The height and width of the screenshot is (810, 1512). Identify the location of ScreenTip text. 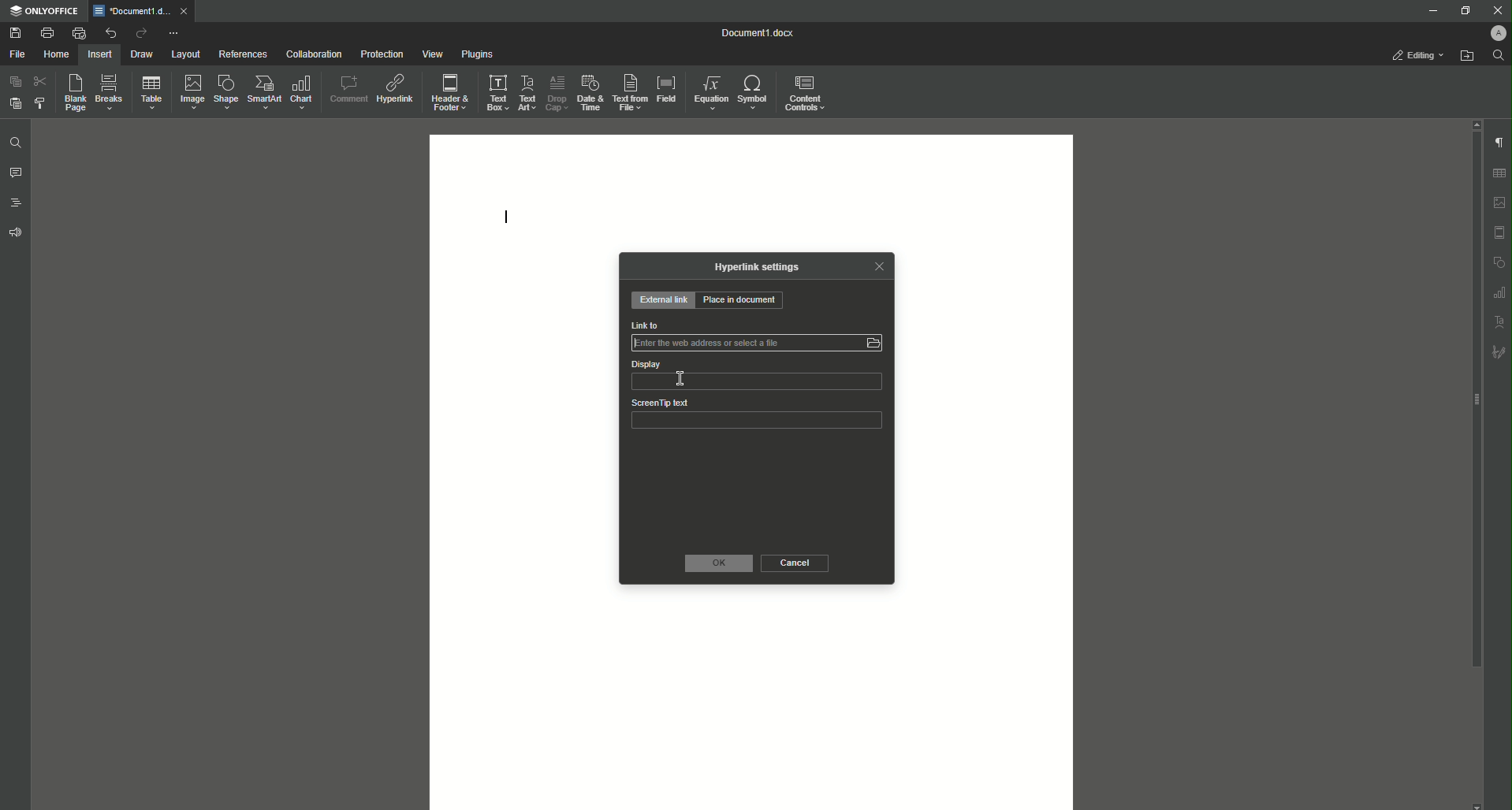
(758, 423).